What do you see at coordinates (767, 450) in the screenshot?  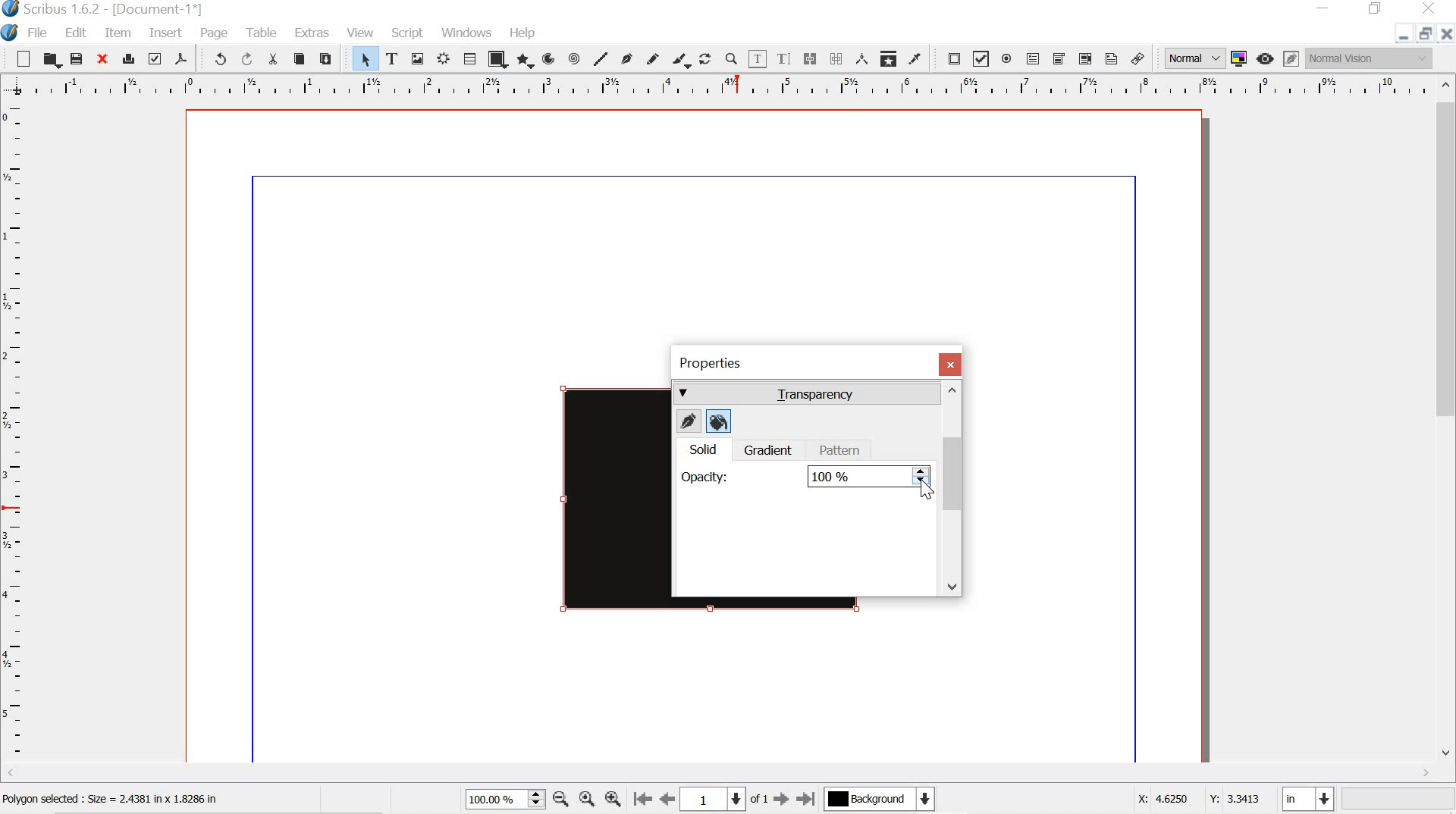 I see `gradient` at bounding box center [767, 450].